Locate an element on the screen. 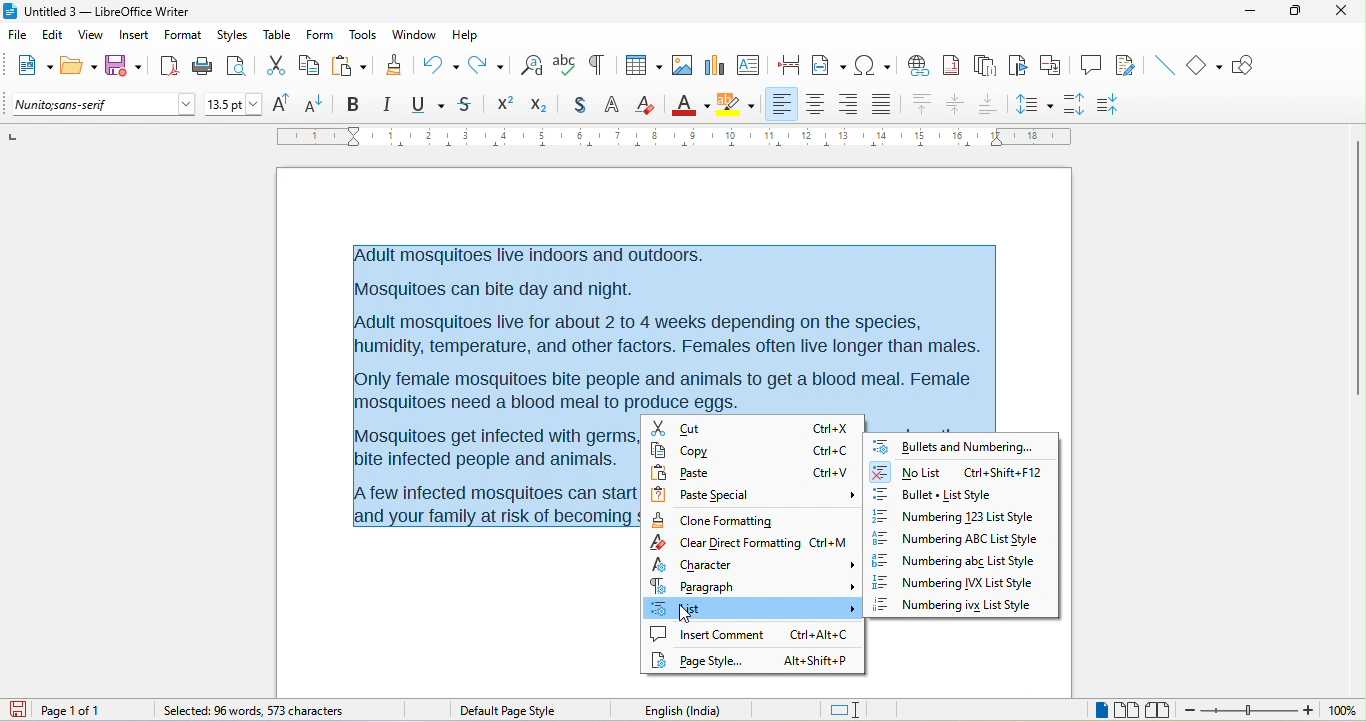 The height and width of the screenshot is (722, 1366). increase paragraph spacing is located at coordinates (1080, 105).